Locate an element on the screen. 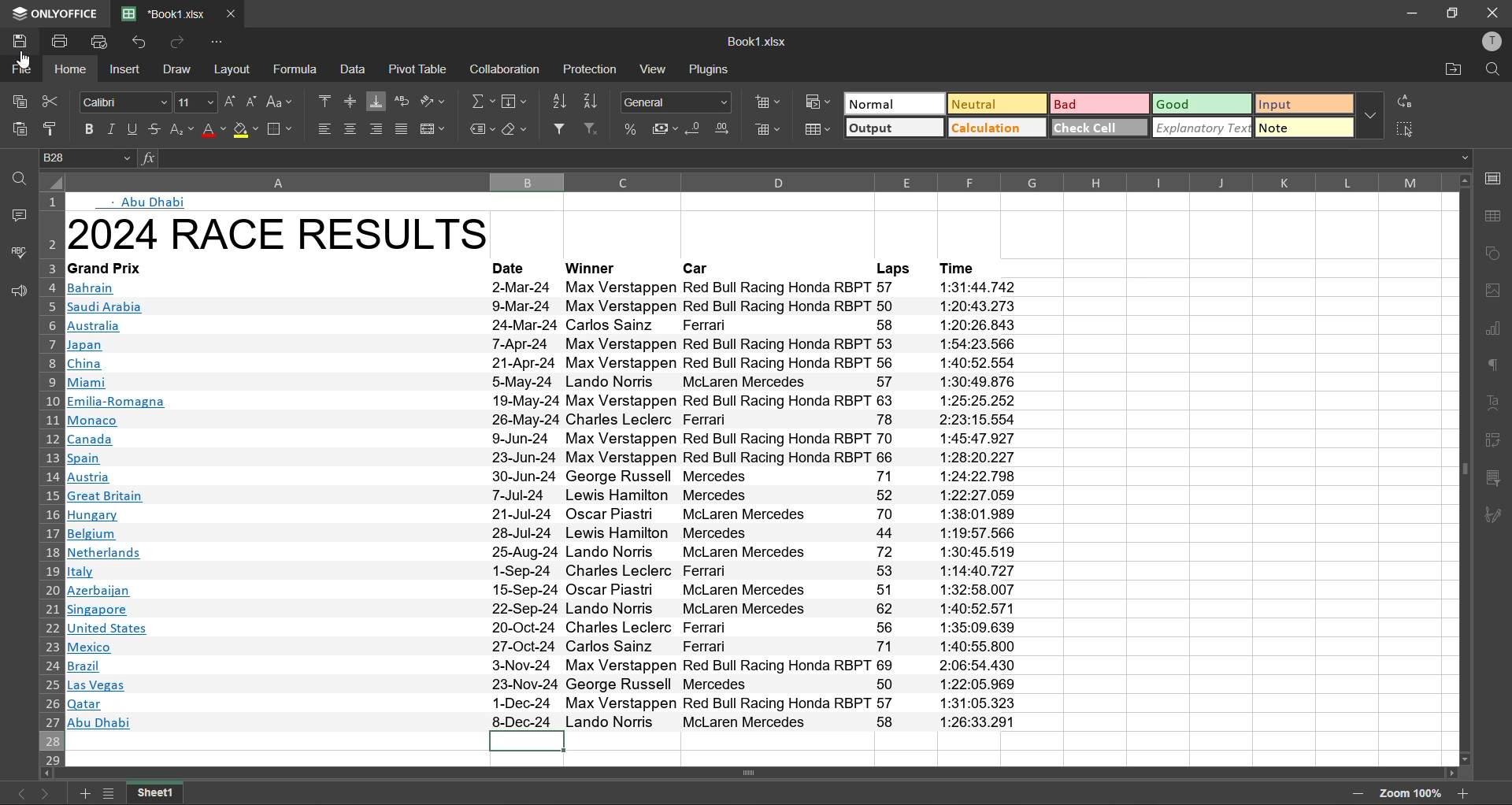 The width and height of the screenshot is (1512, 805). pivot table is located at coordinates (424, 69).